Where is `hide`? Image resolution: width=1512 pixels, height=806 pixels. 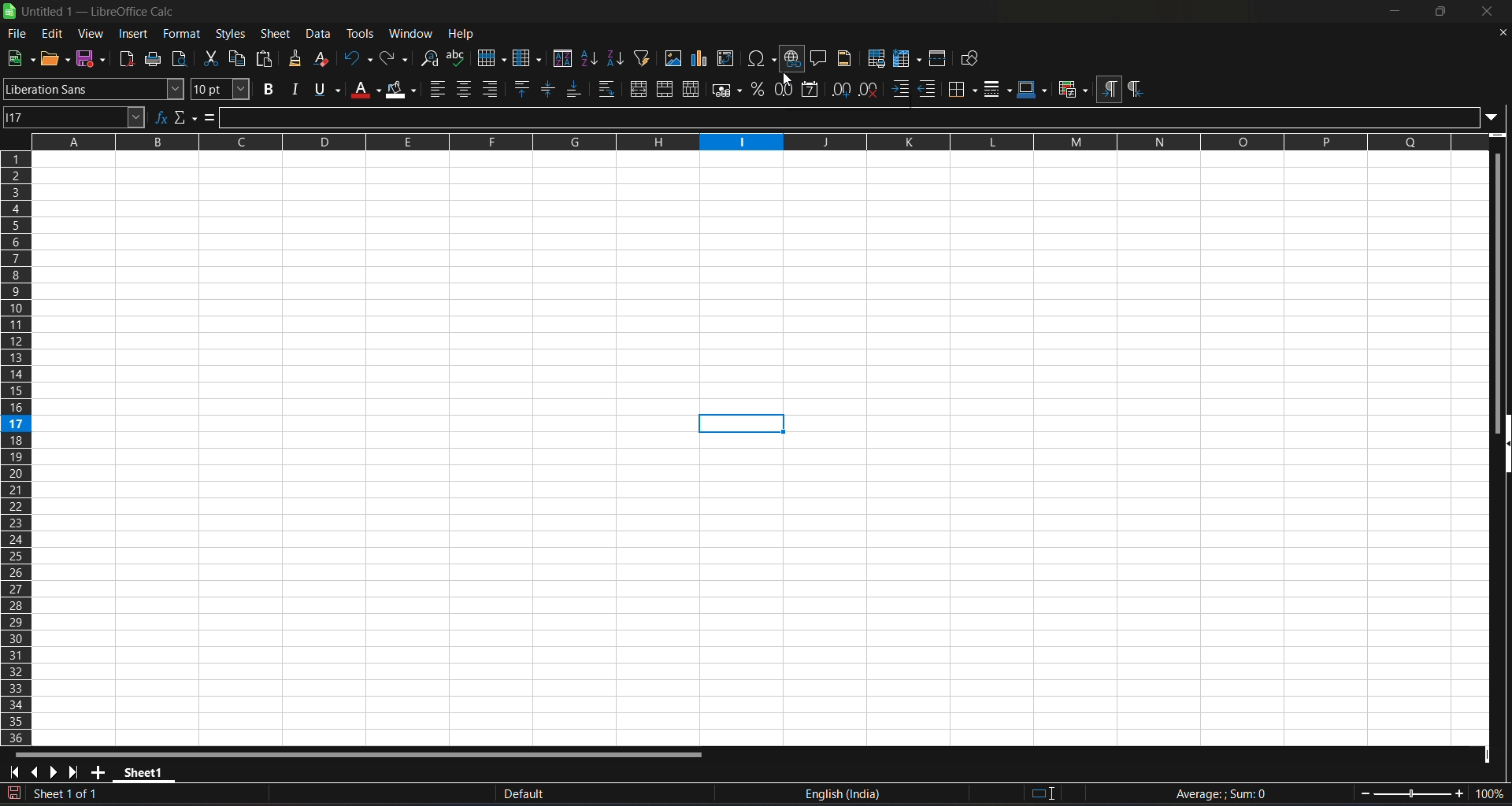
hide is located at coordinates (1503, 446).